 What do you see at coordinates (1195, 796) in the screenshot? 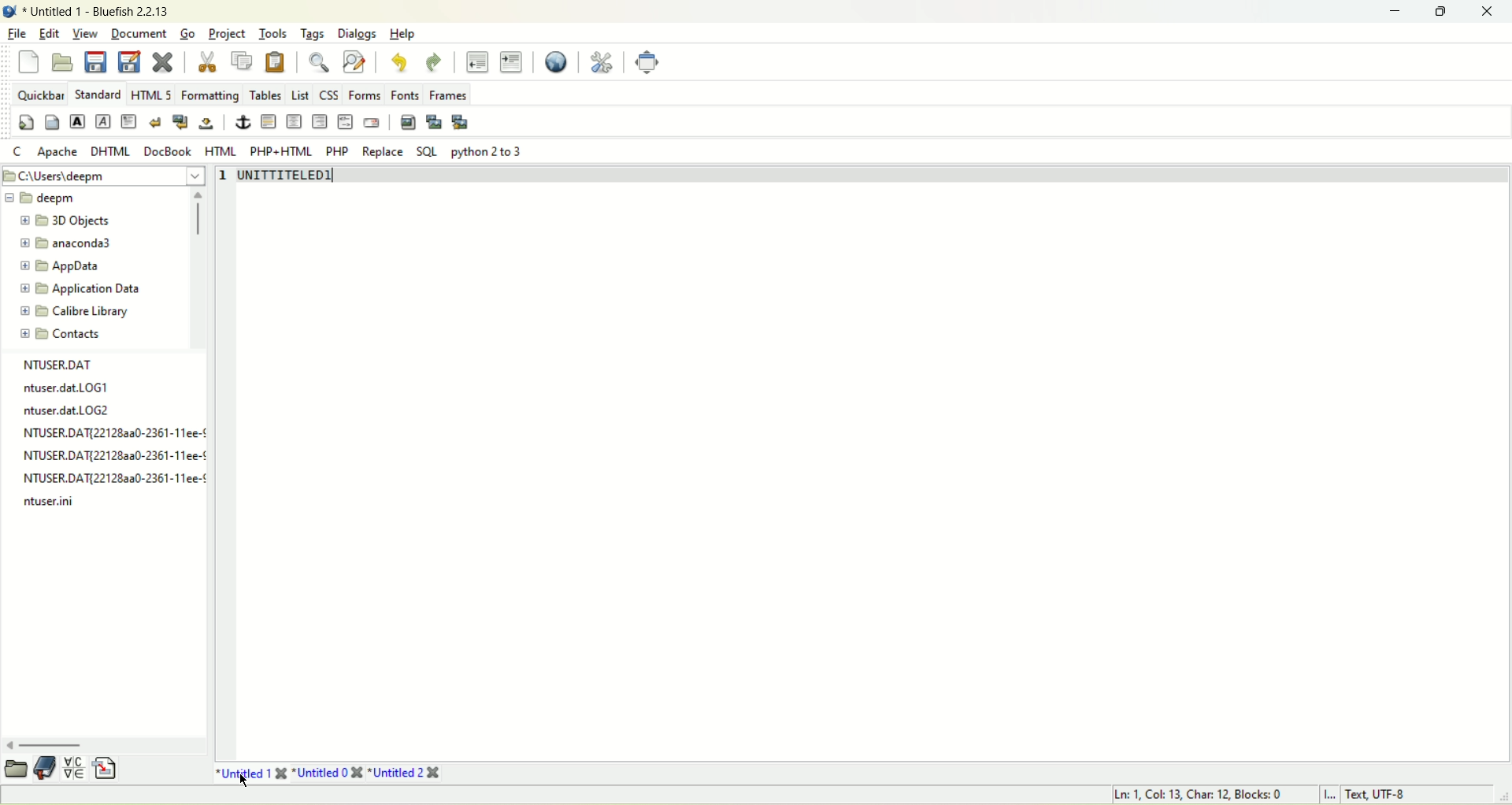
I see `Ln, Col, Char, Blocks` at bounding box center [1195, 796].